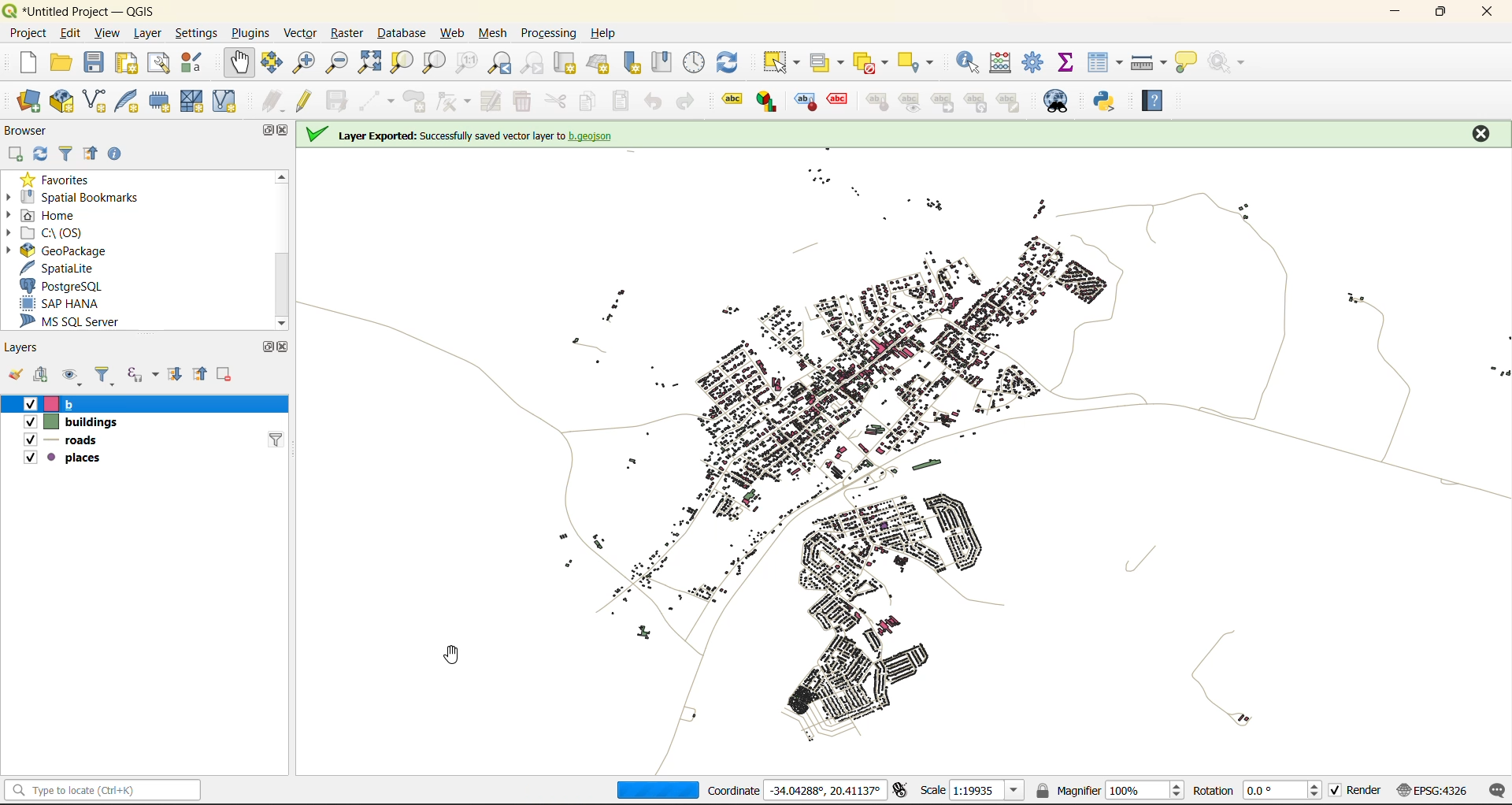 This screenshot has width=1512, height=805. Describe the element at coordinates (223, 102) in the screenshot. I see `new virtual layer` at that location.